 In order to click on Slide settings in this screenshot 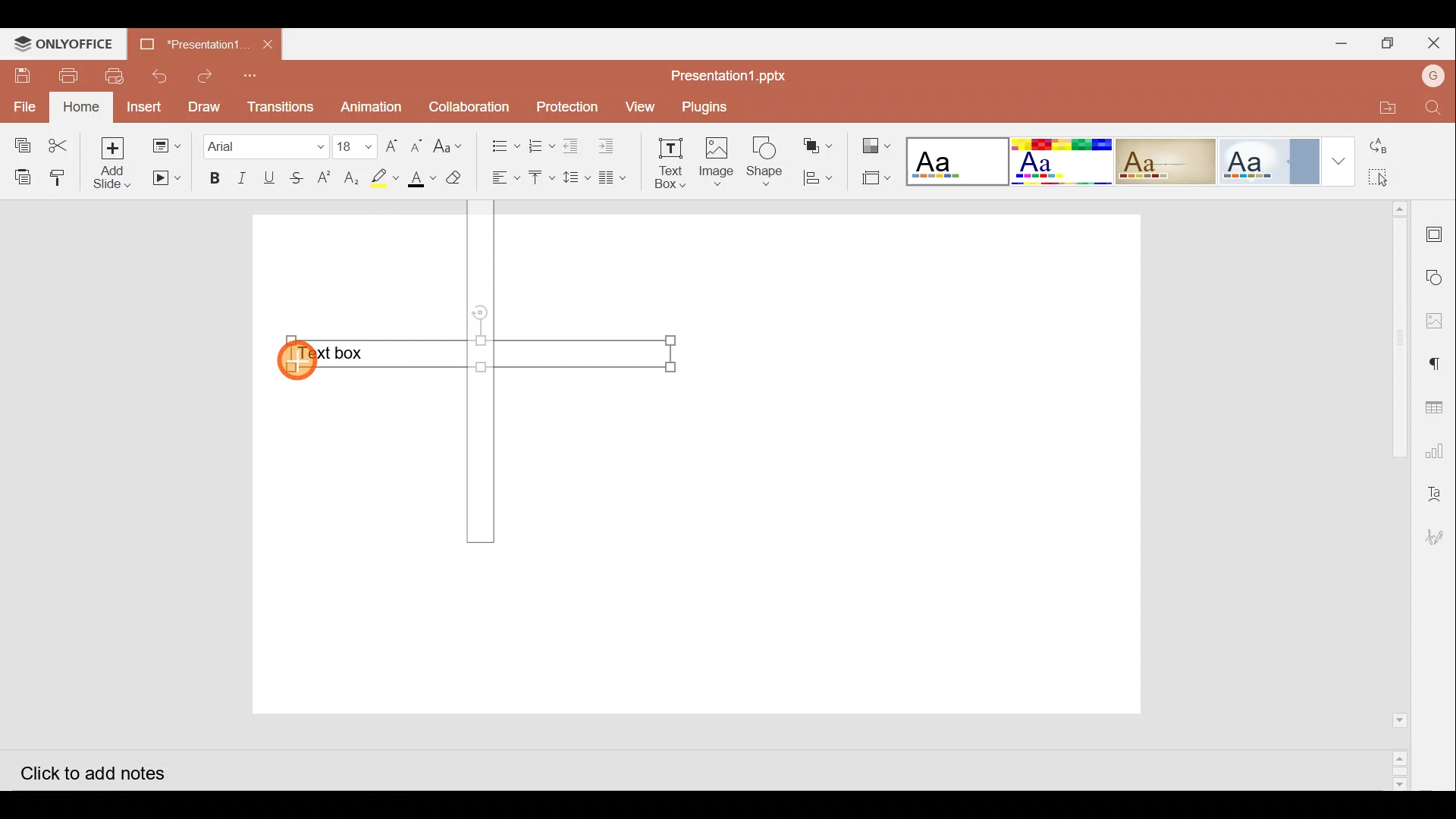, I will do `click(1439, 232)`.